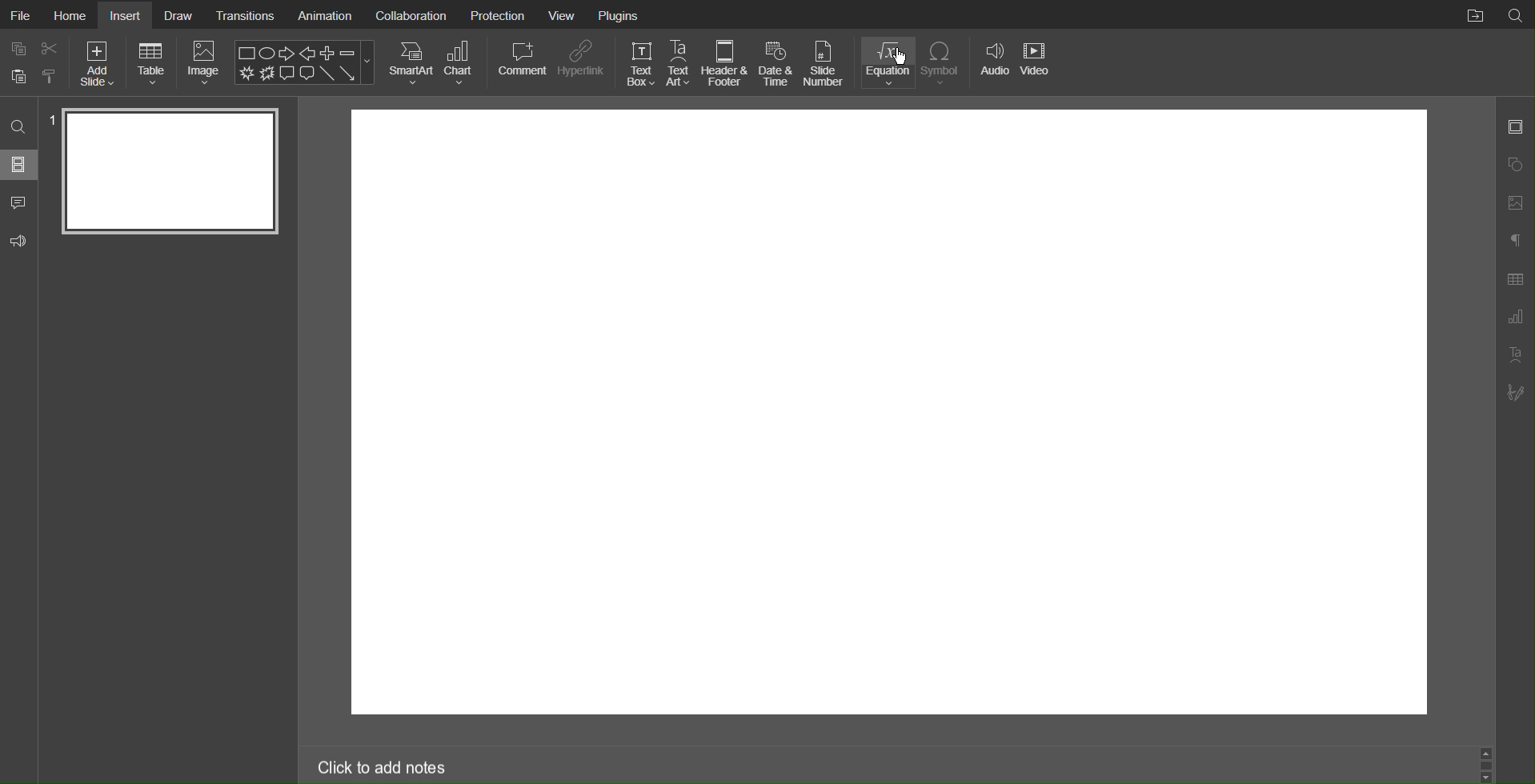  What do you see at coordinates (32, 64) in the screenshot?
I see `Cut Copy Paste Tool` at bounding box center [32, 64].